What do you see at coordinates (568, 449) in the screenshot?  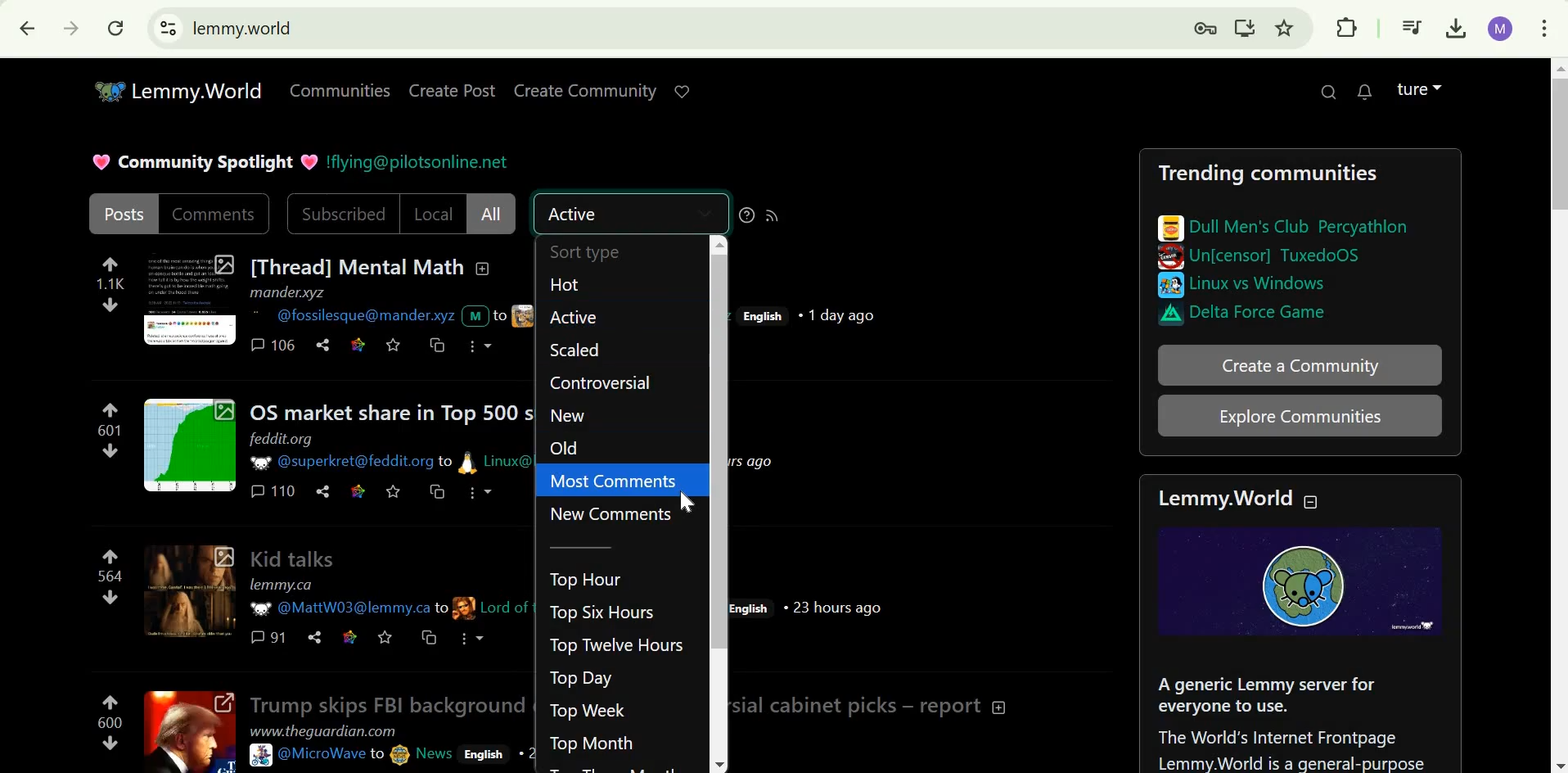 I see `Old` at bounding box center [568, 449].